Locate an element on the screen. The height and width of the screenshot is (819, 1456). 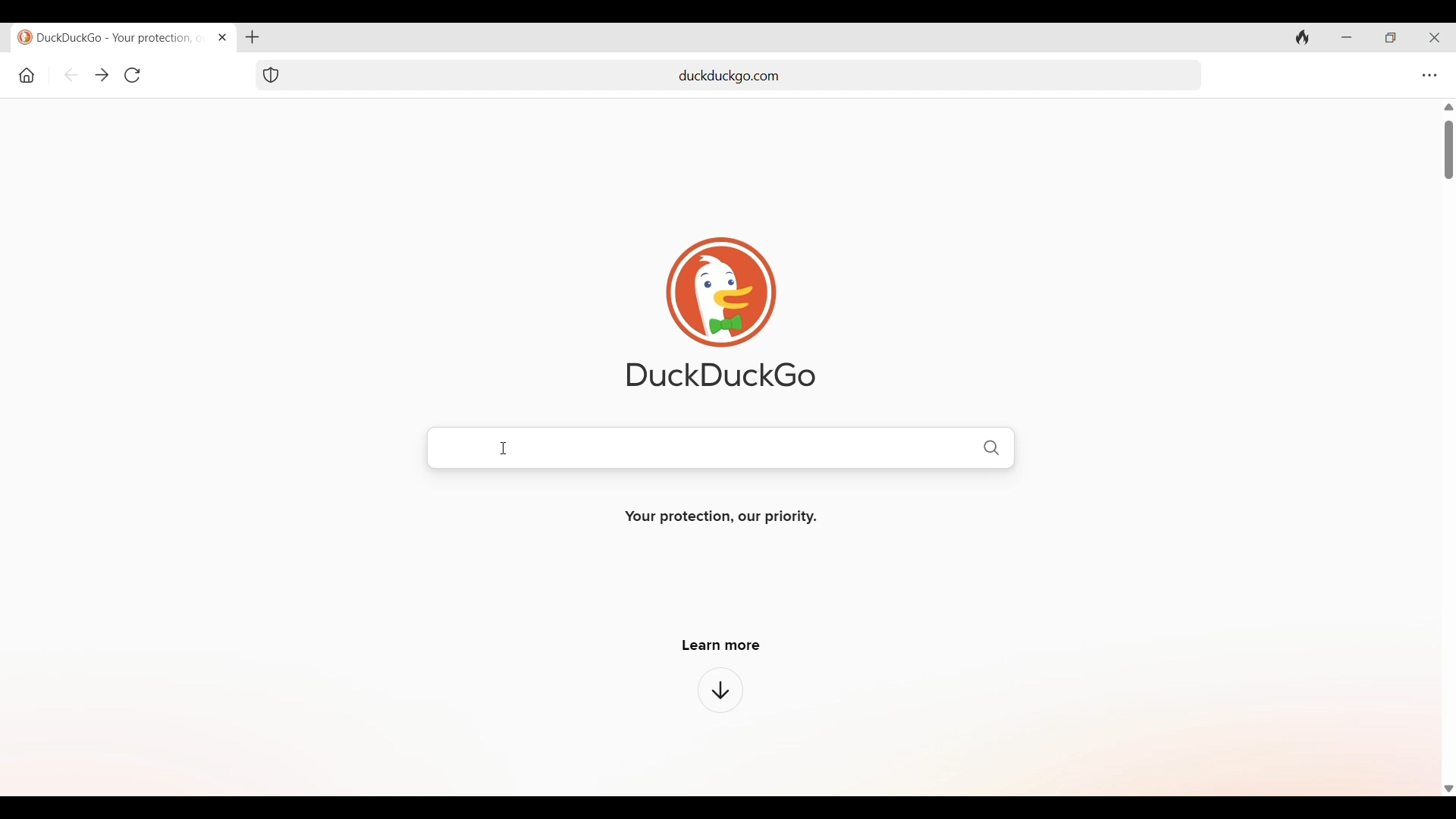
Vertical slide bar is located at coordinates (1448, 151).